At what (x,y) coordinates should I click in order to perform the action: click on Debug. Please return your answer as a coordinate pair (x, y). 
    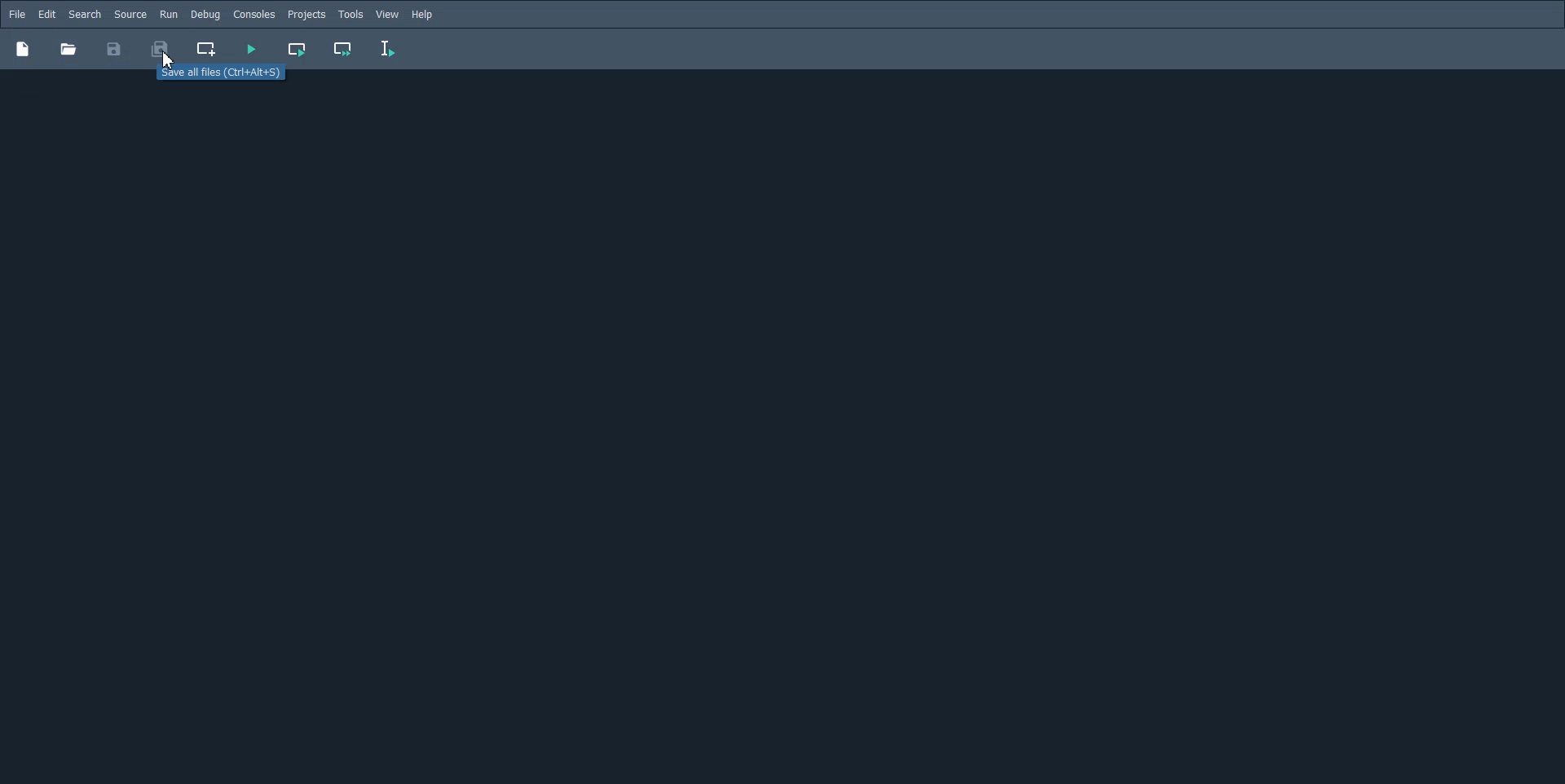
    Looking at the image, I should click on (205, 14).